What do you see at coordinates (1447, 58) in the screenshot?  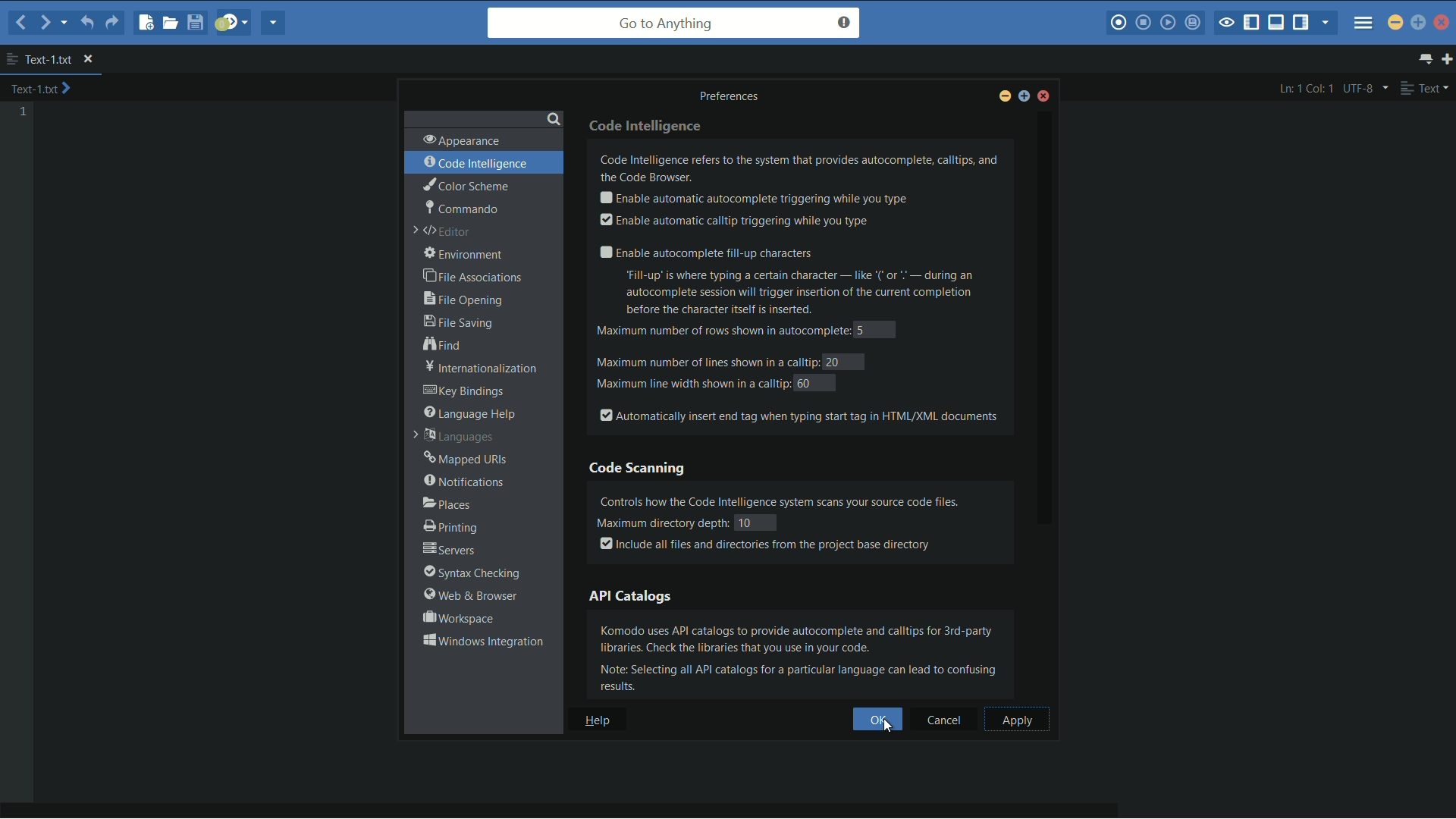 I see `new tab` at bounding box center [1447, 58].